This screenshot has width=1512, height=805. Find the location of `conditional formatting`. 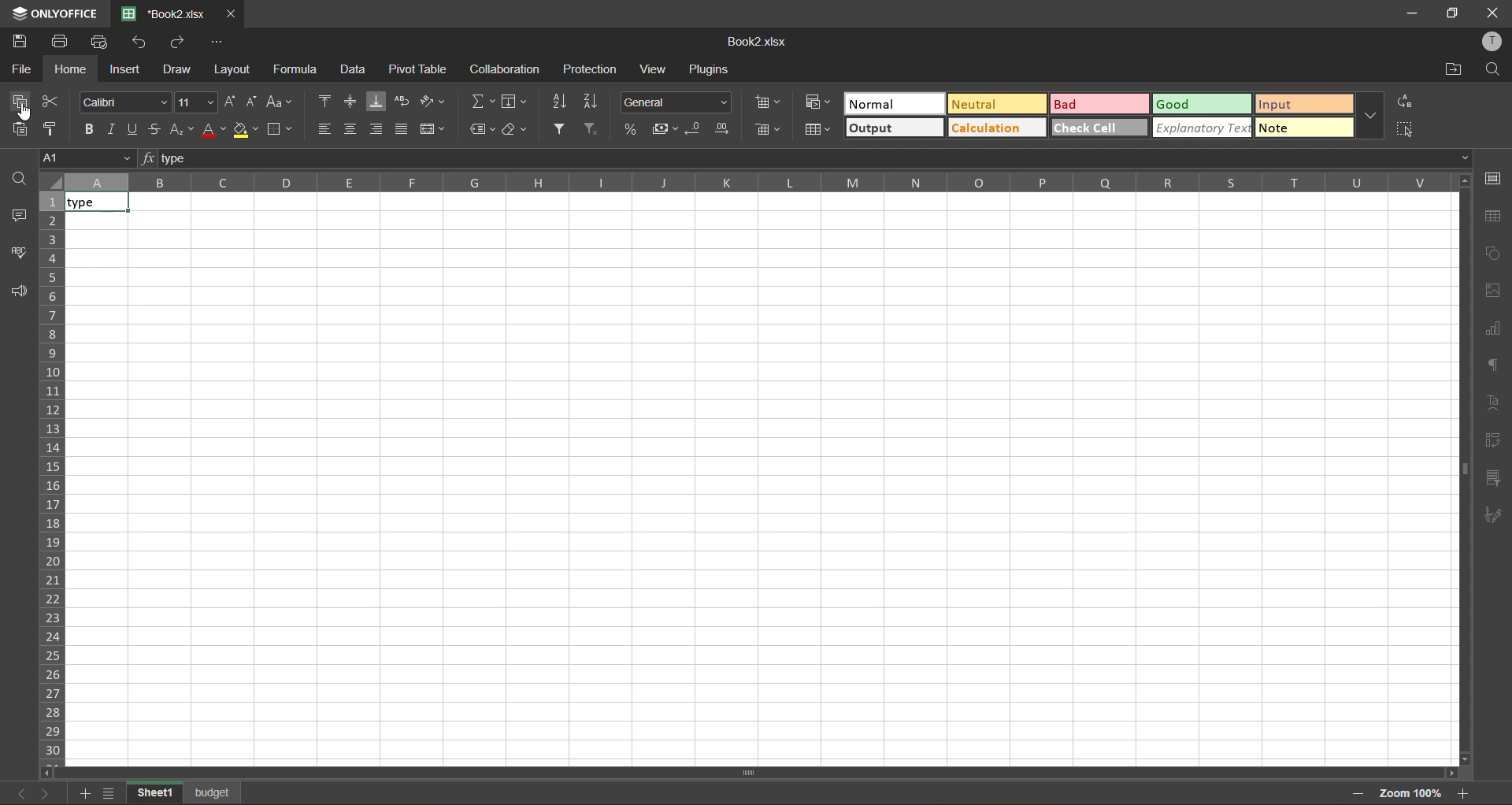

conditional formatting is located at coordinates (818, 102).